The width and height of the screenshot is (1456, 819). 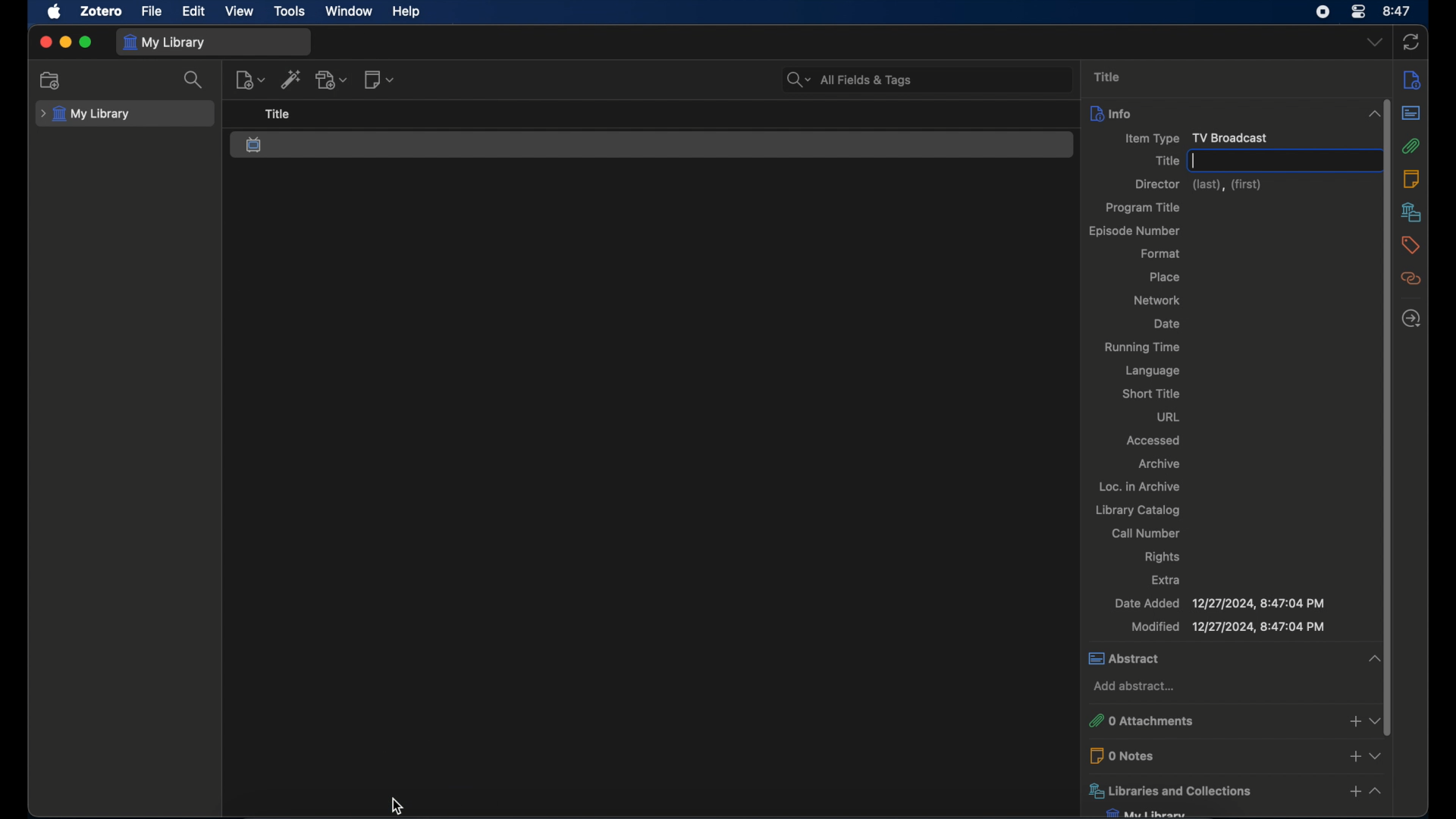 What do you see at coordinates (278, 115) in the screenshot?
I see `title` at bounding box center [278, 115].